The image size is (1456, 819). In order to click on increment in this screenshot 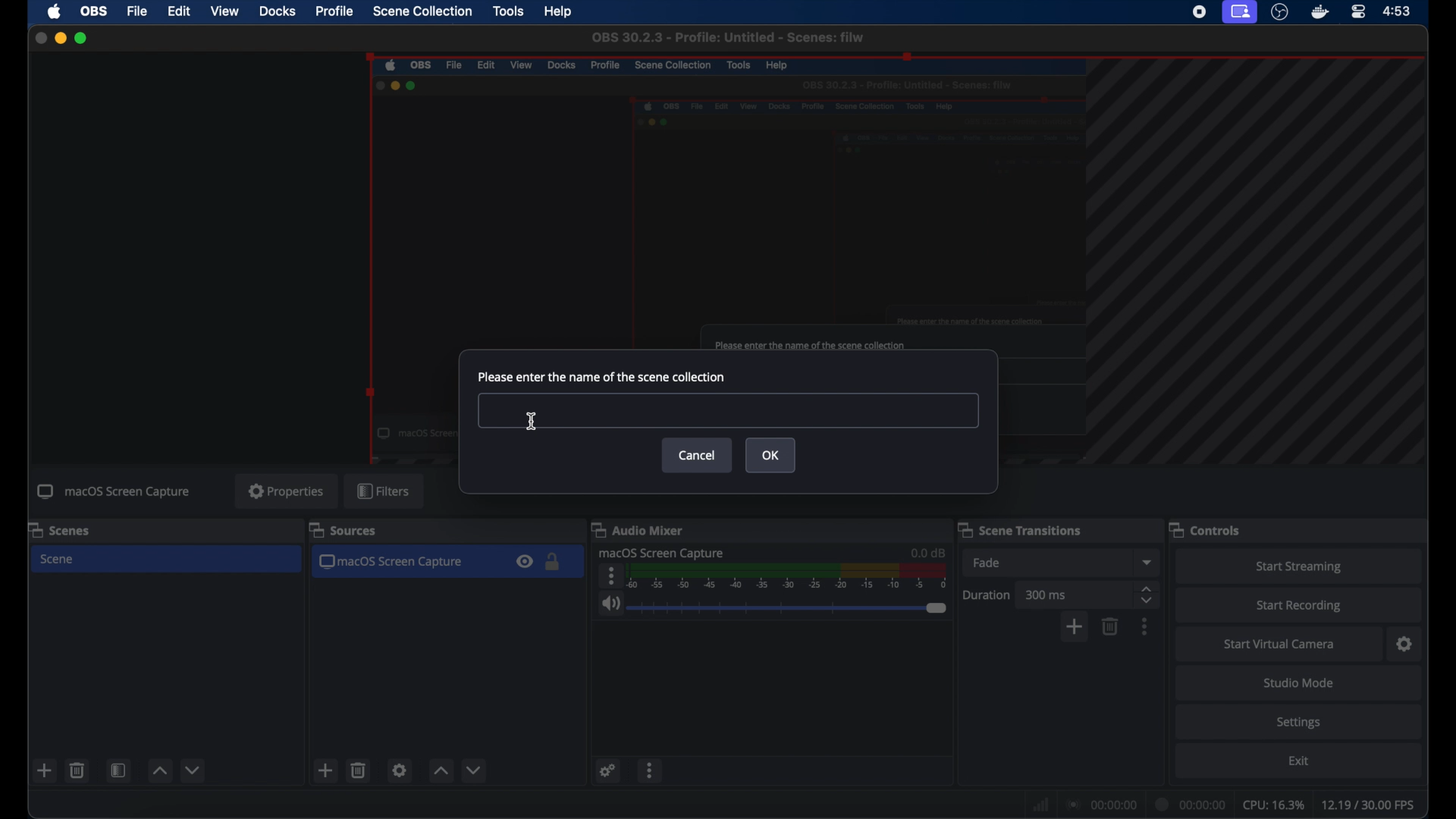, I will do `click(159, 770)`.